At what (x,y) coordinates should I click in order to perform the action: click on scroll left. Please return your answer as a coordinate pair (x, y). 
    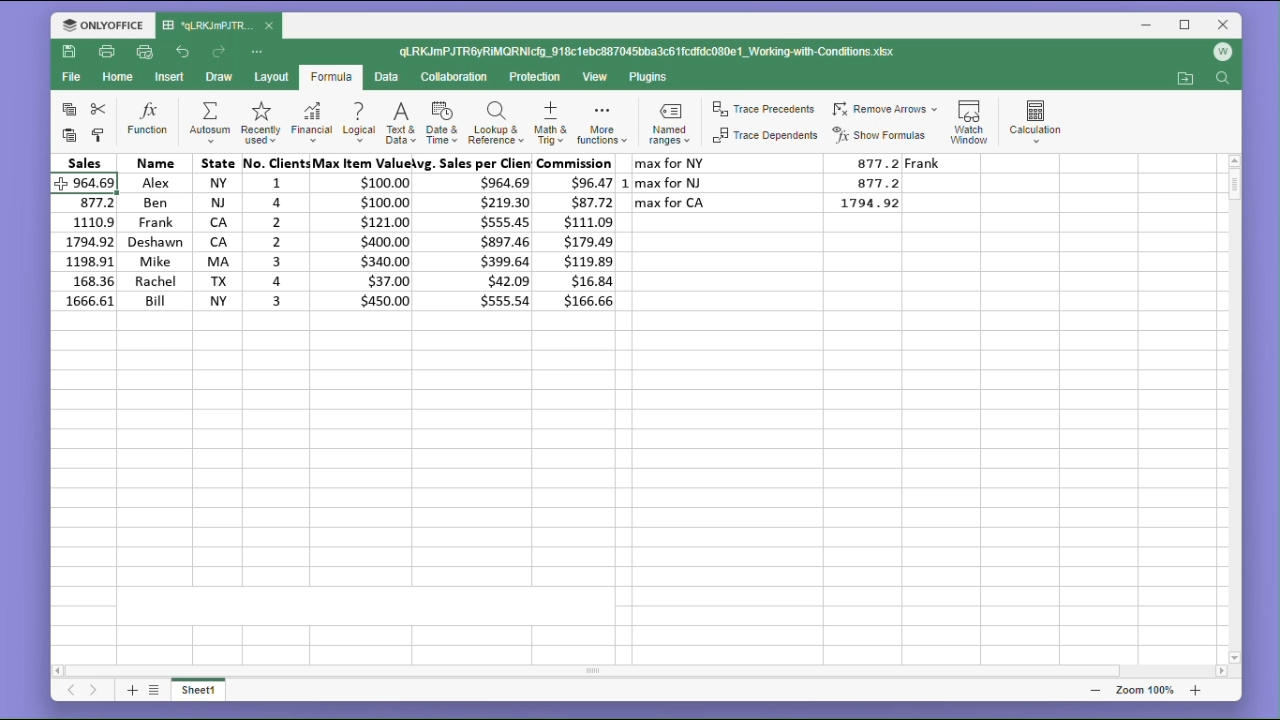
    Looking at the image, I should click on (59, 668).